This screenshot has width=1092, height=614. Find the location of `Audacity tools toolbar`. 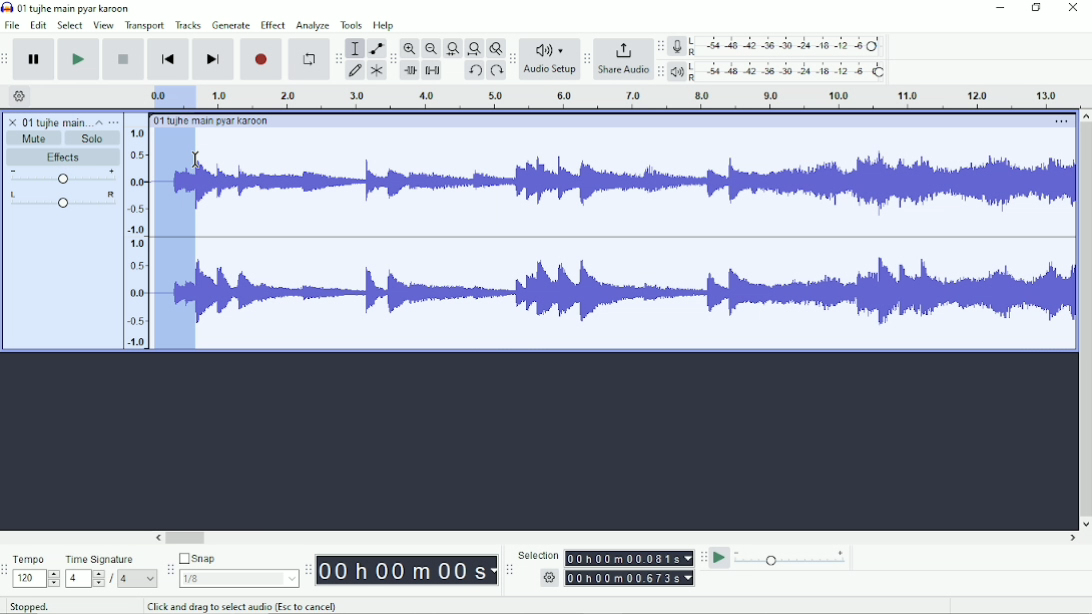

Audacity tools toolbar is located at coordinates (338, 55).